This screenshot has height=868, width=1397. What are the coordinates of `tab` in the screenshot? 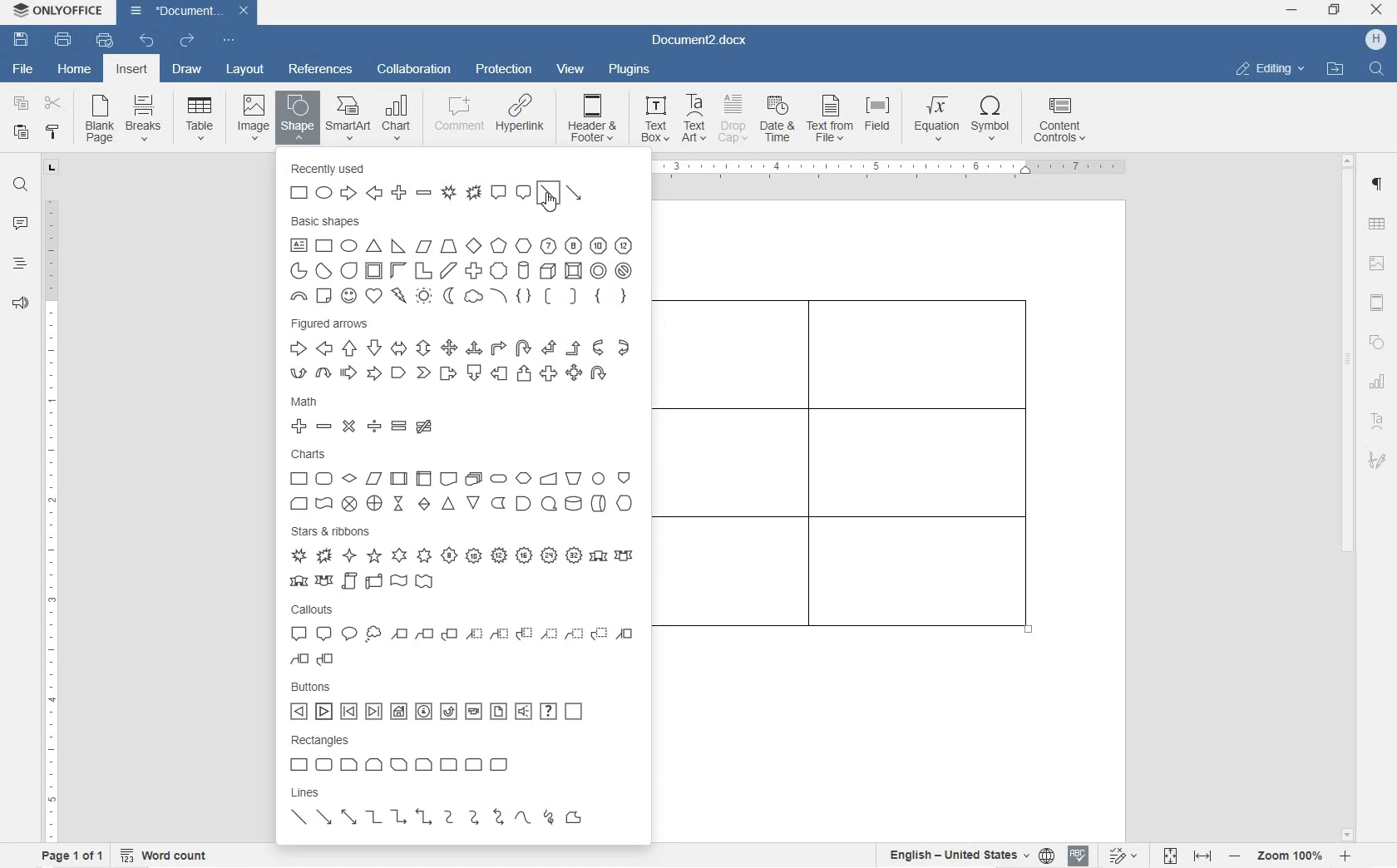 It's located at (53, 170).